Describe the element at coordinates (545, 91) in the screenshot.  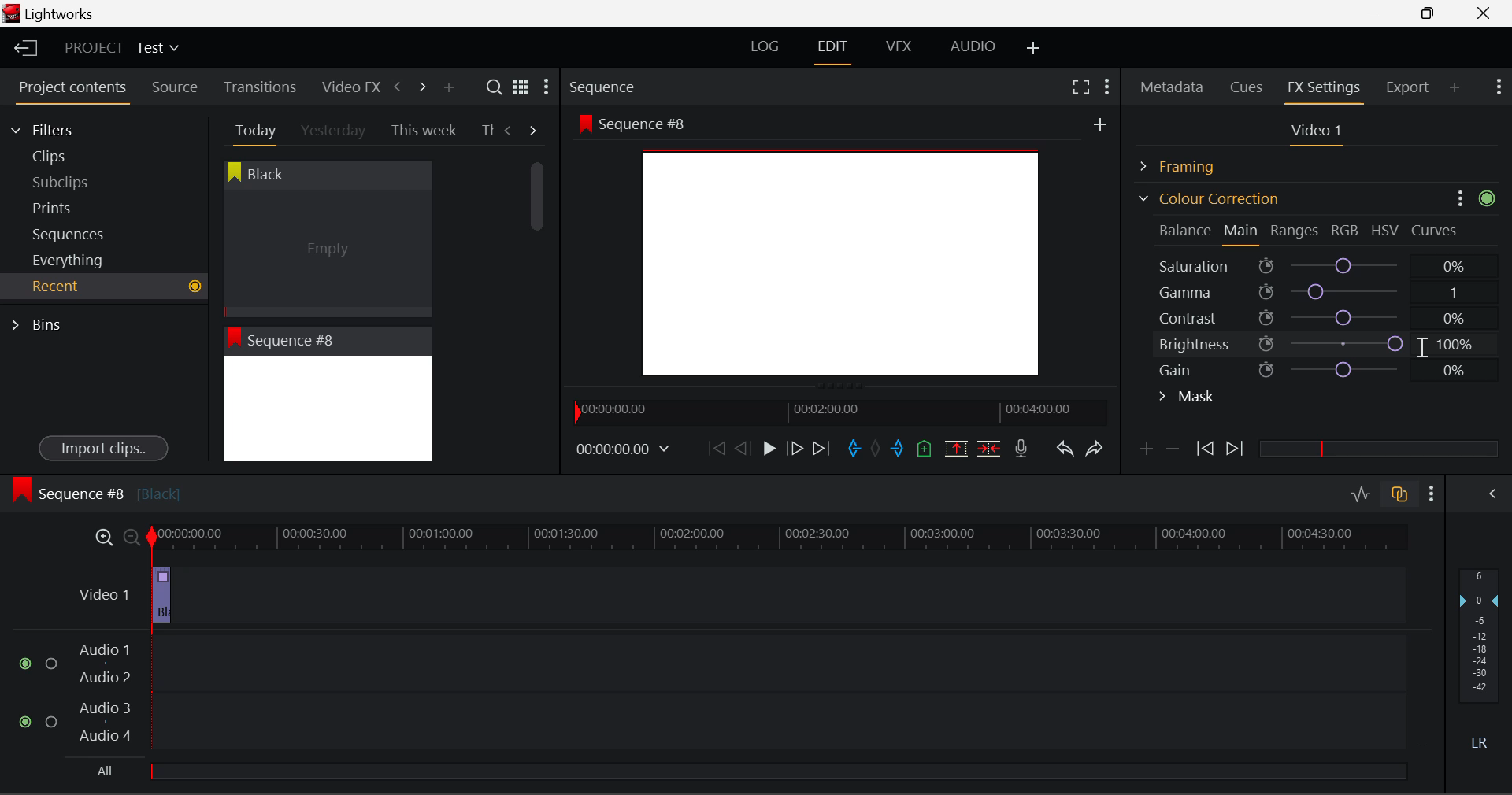
I see `Show Settings` at that location.